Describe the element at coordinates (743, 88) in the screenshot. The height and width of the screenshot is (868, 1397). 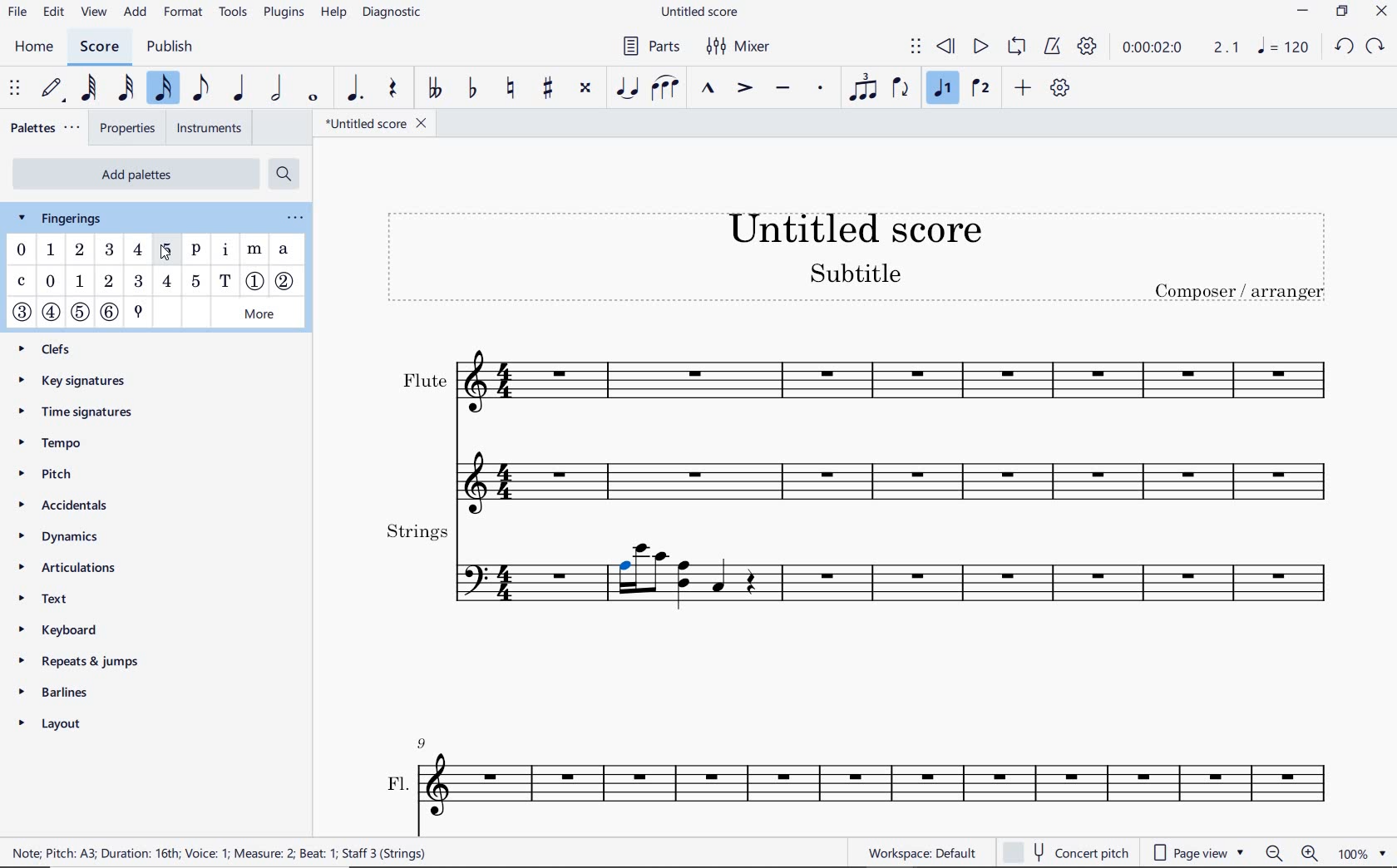
I see `accent` at that location.